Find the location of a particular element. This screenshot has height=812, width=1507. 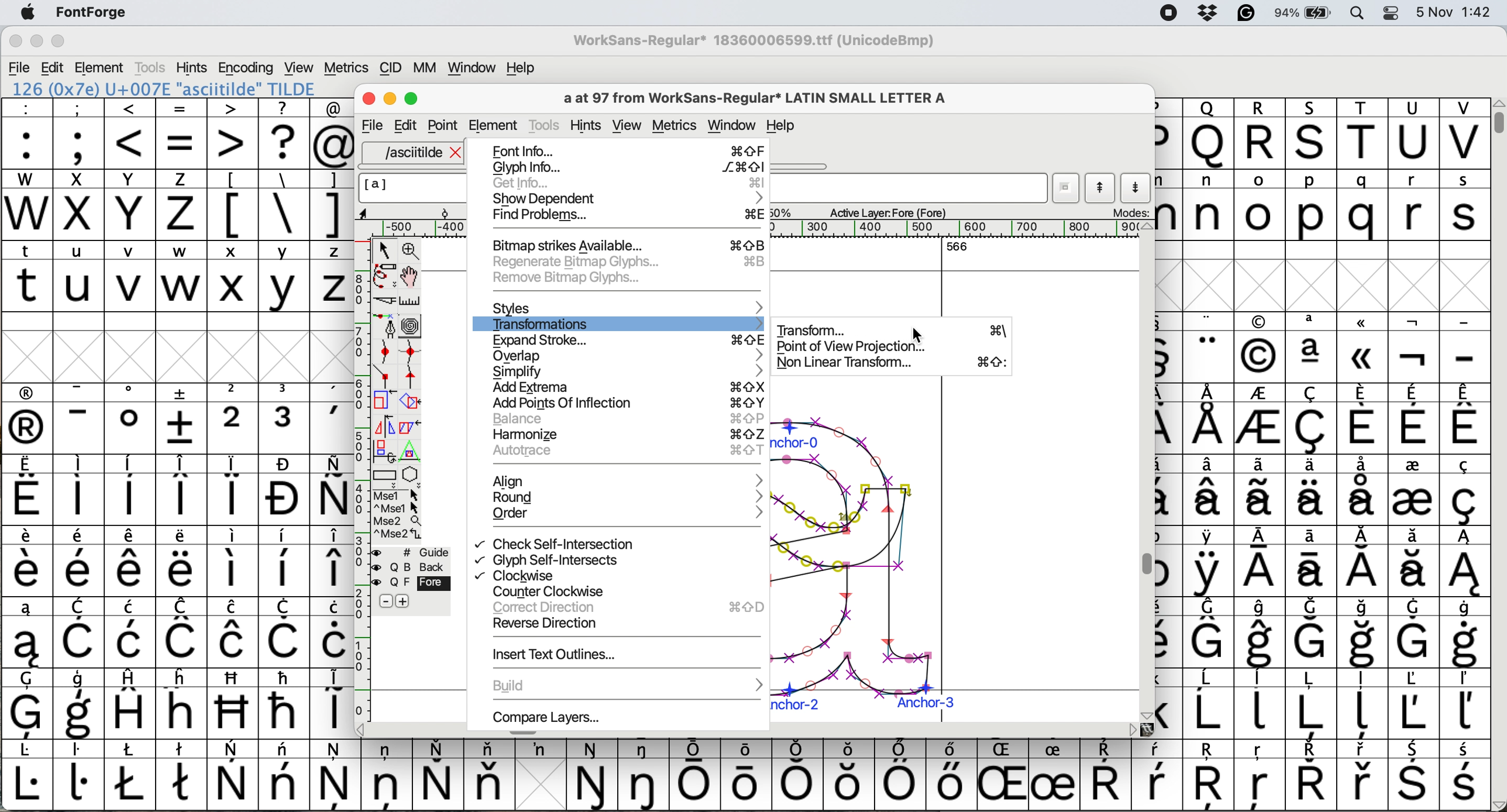

metrics is located at coordinates (346, 68).